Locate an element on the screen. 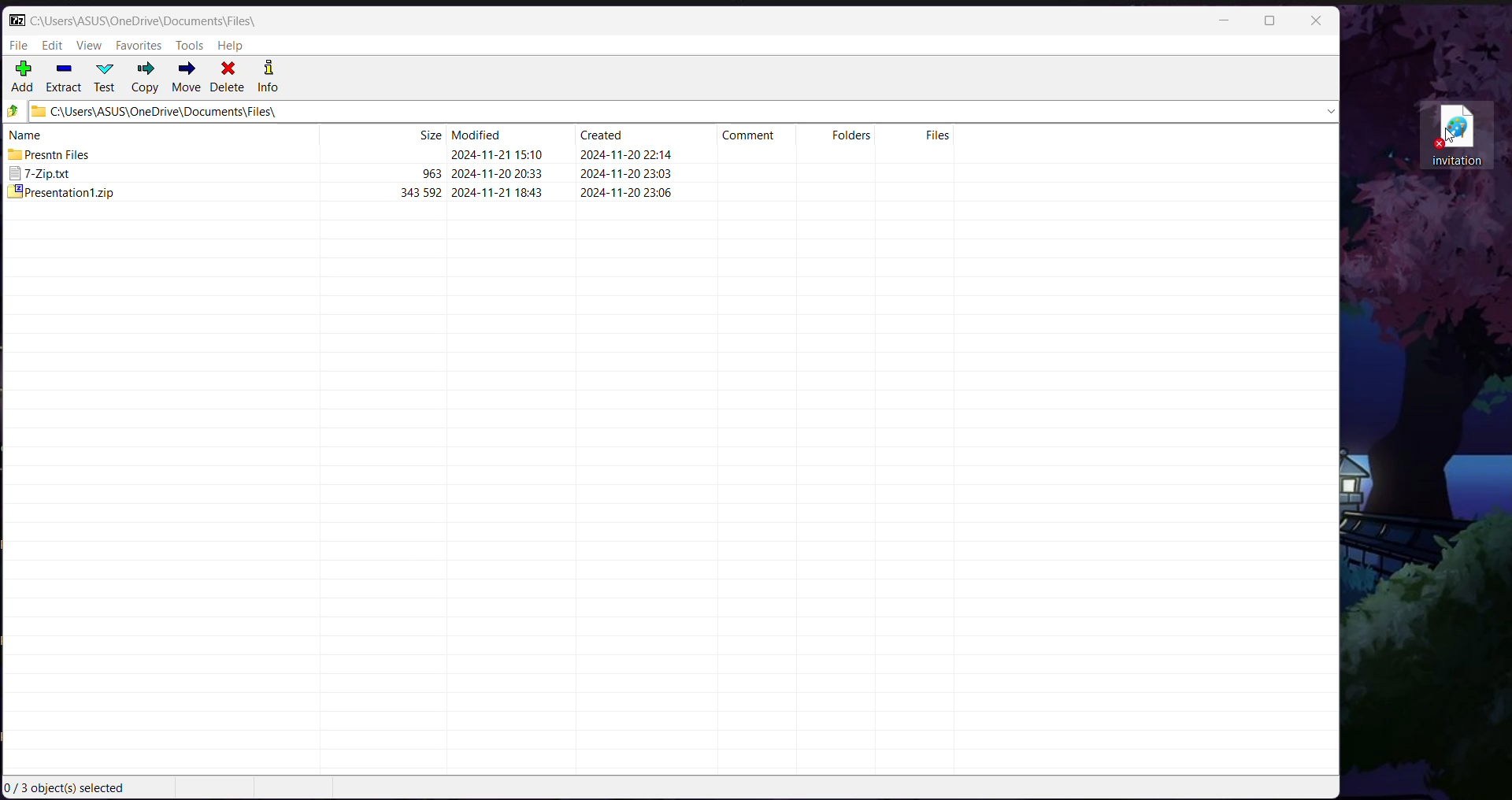  Application Logo is located at coordinates (17, 20).